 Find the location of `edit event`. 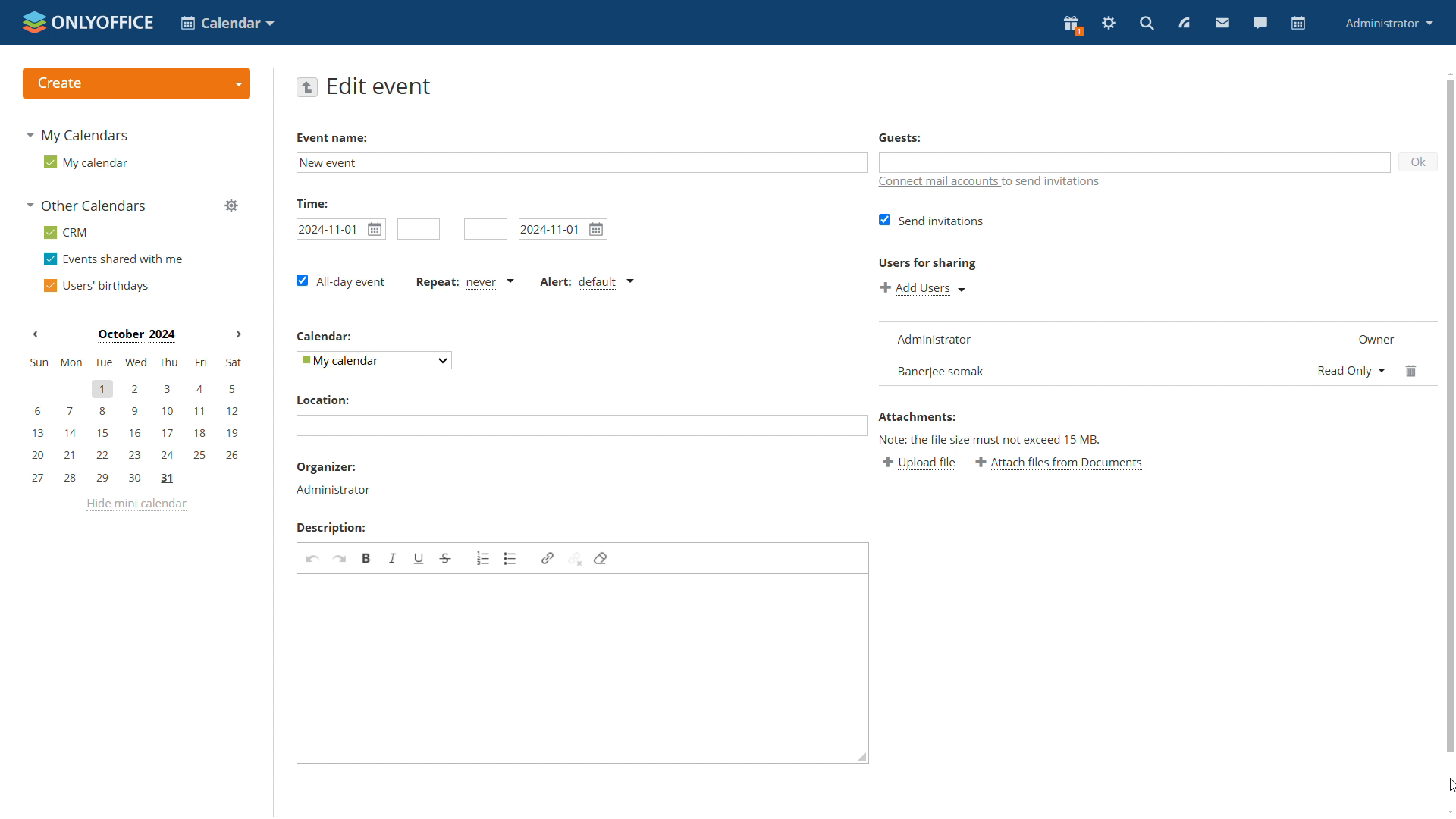

edit event is located at coordinates (381, 88).